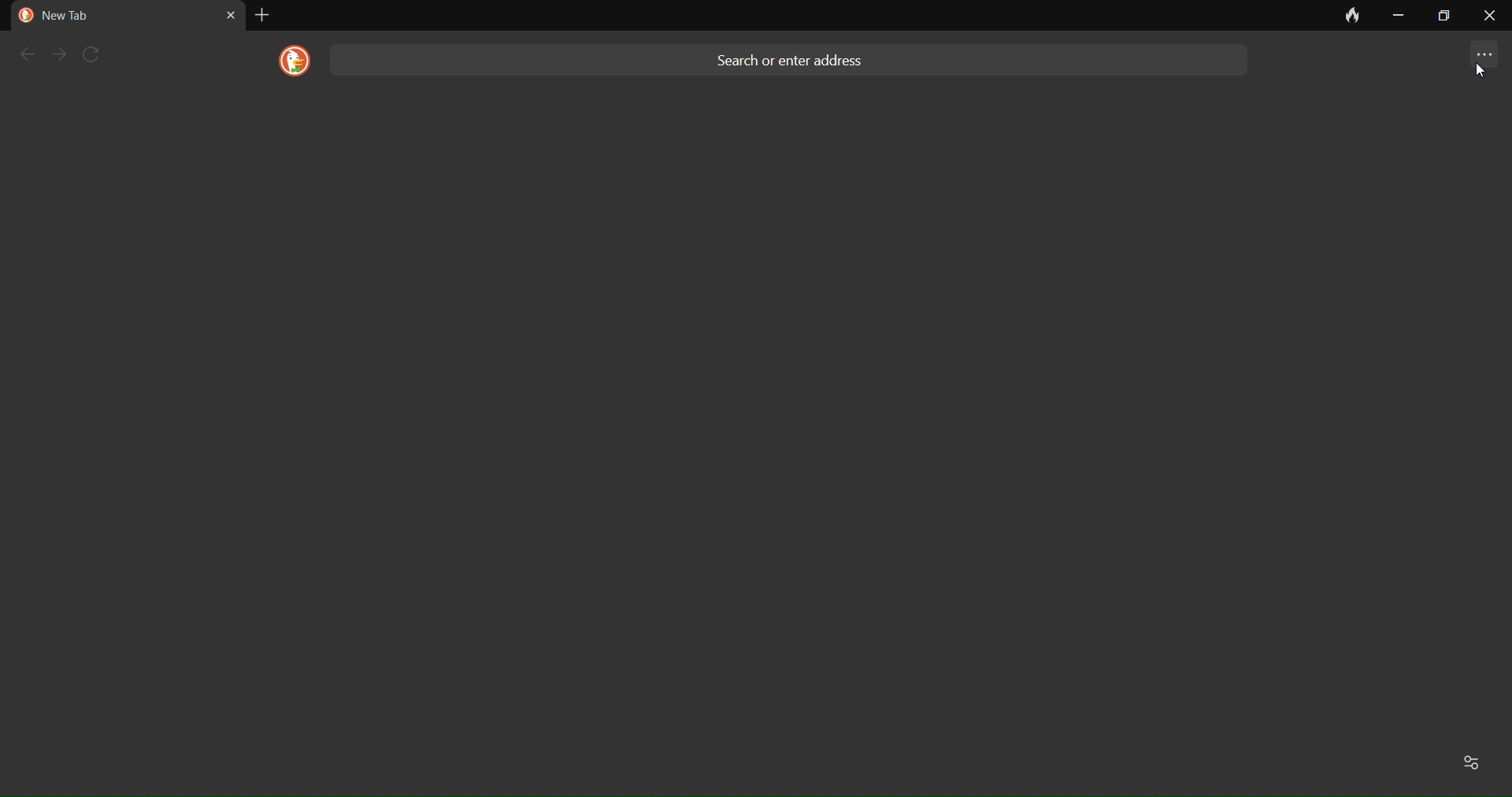 This screenshot has height=797, width=1512. What do you see at coordinates (25, 54) in the screenshot?
I see `back` at bounding box center [25, 54].